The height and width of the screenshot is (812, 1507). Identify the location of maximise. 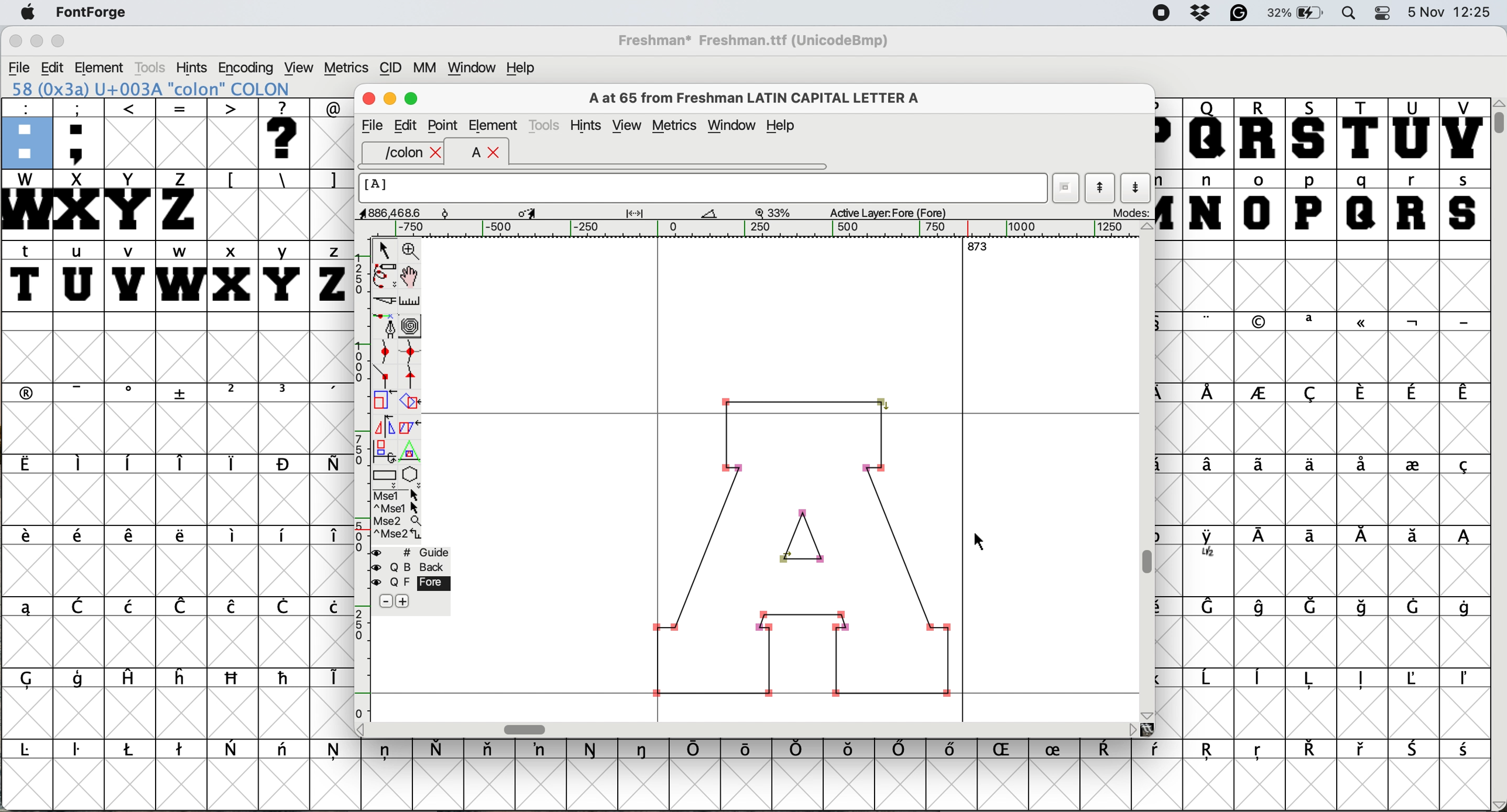
(61, 40).